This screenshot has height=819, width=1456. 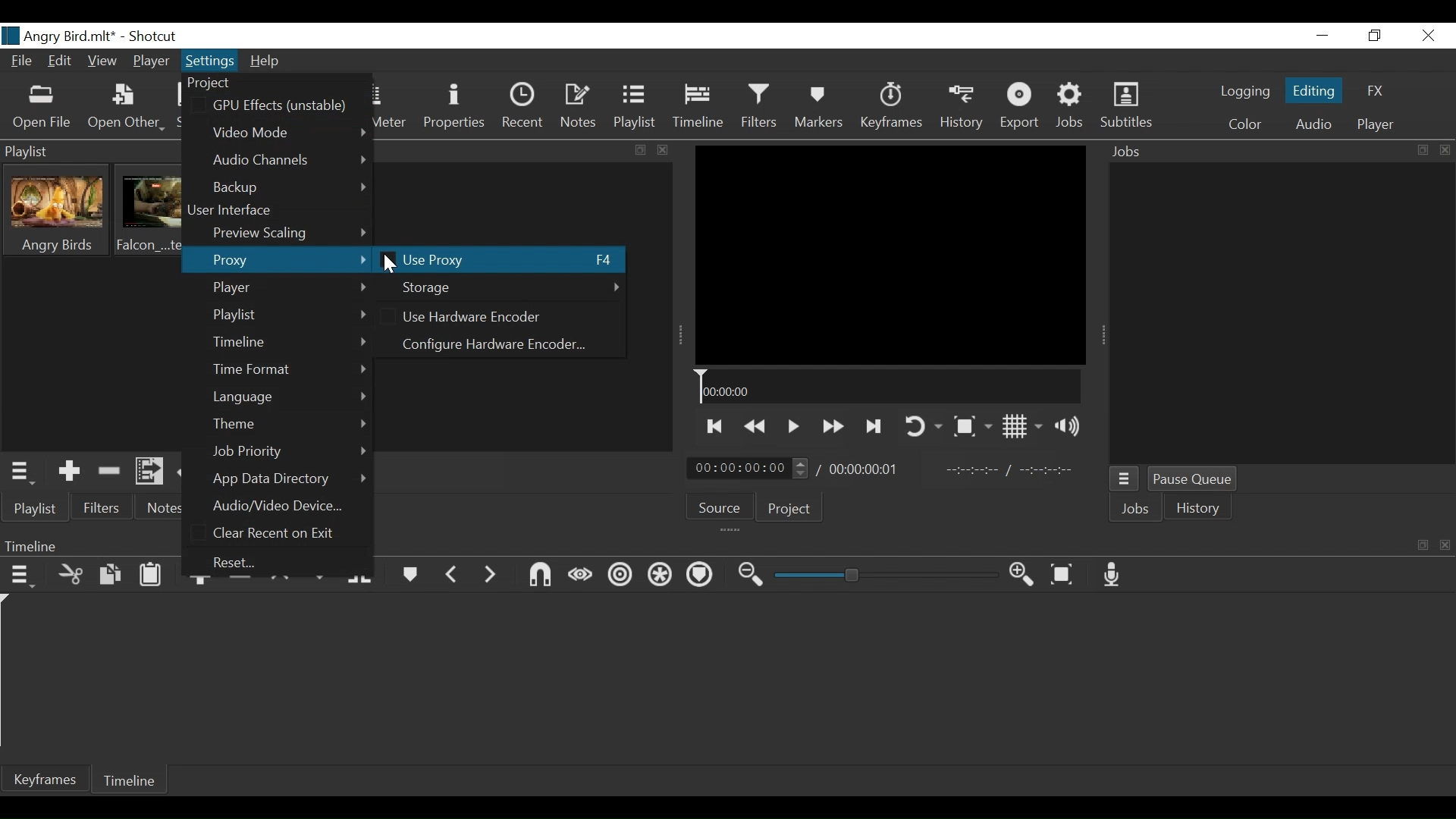 I want to click on Player, so click(x=149, y=62).